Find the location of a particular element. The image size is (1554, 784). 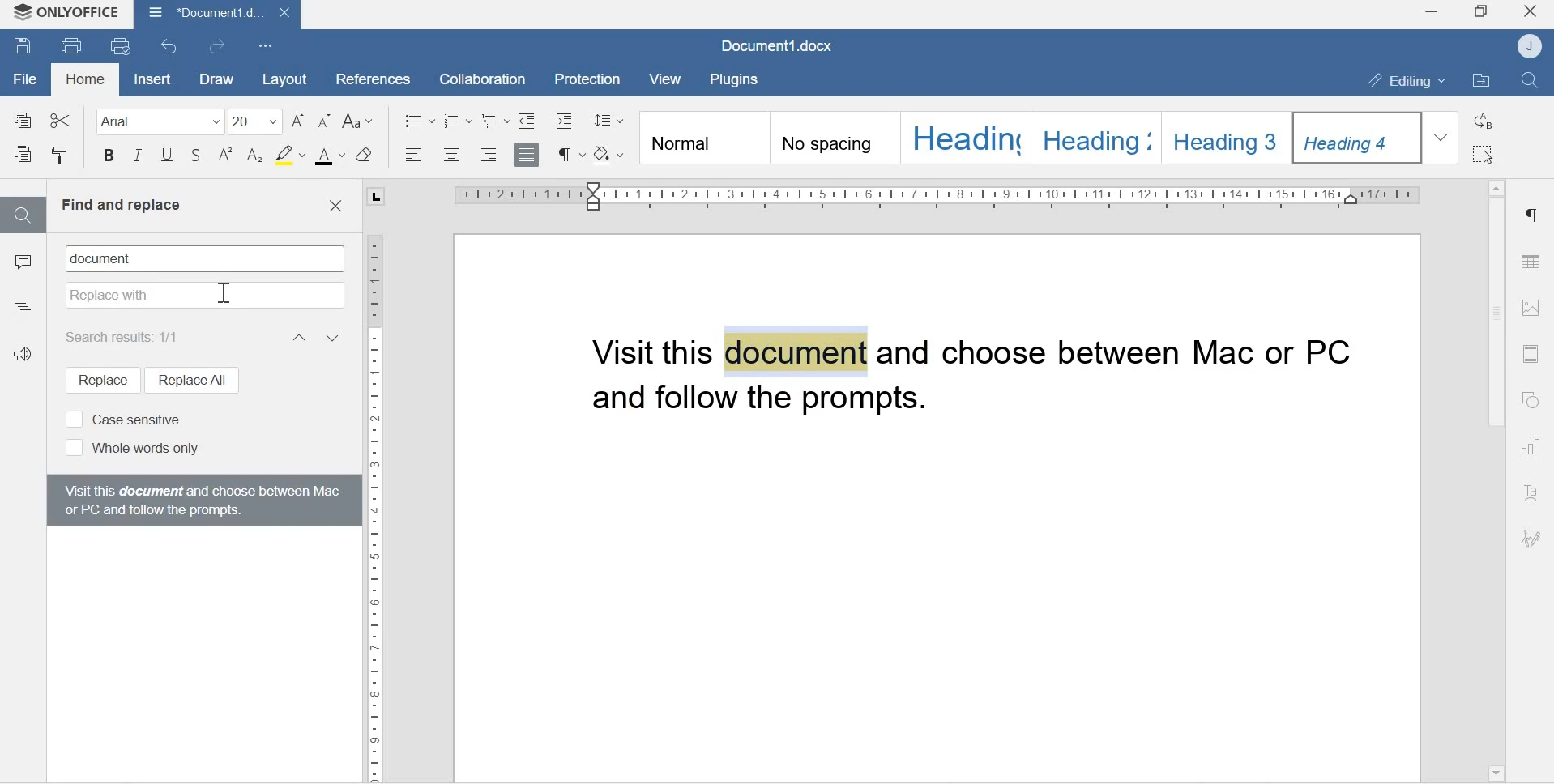

Multilevel List is located at coordinates (495, 120).